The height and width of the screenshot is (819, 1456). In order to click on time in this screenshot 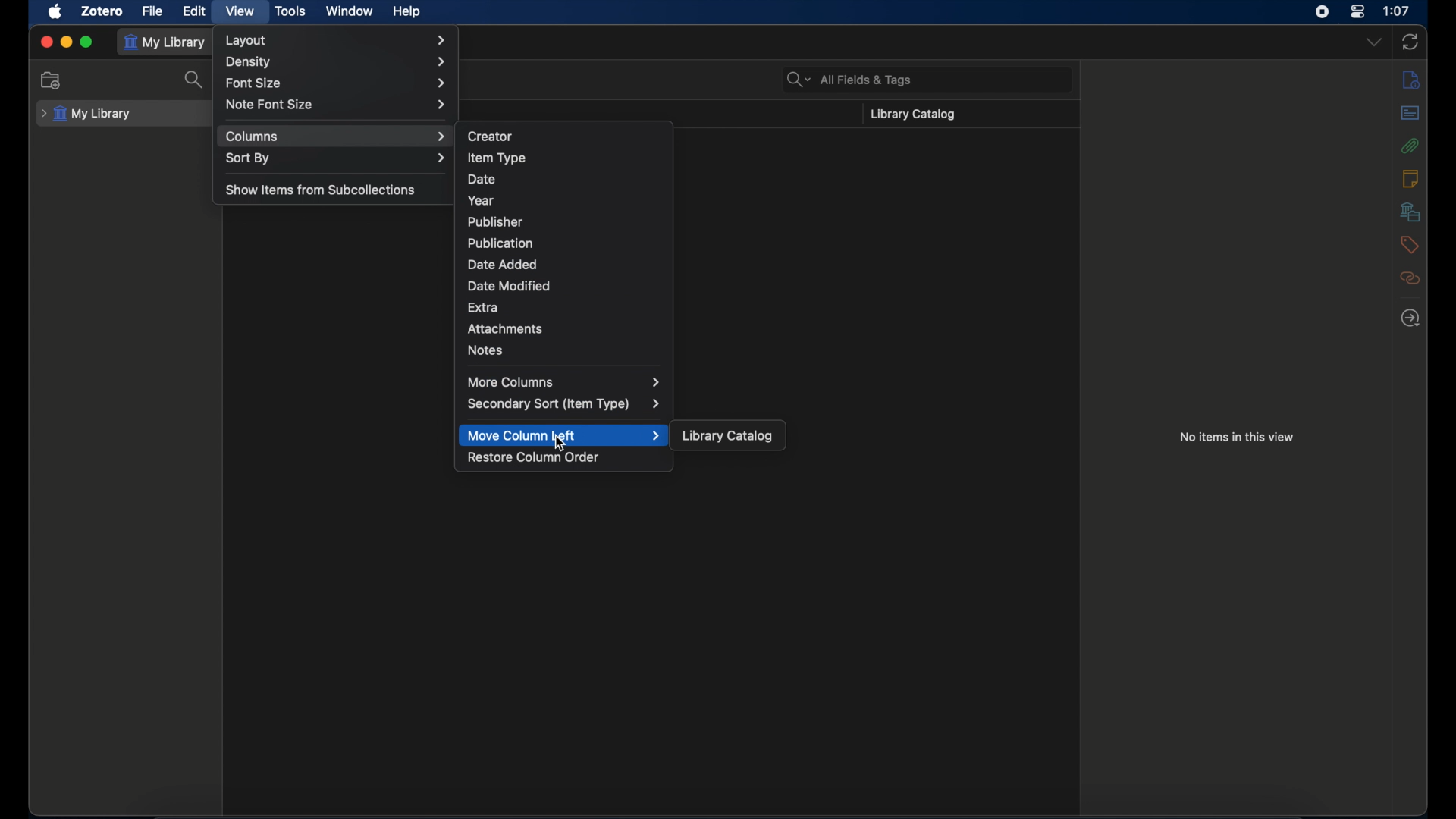, I will do `click(1397, 11)`.